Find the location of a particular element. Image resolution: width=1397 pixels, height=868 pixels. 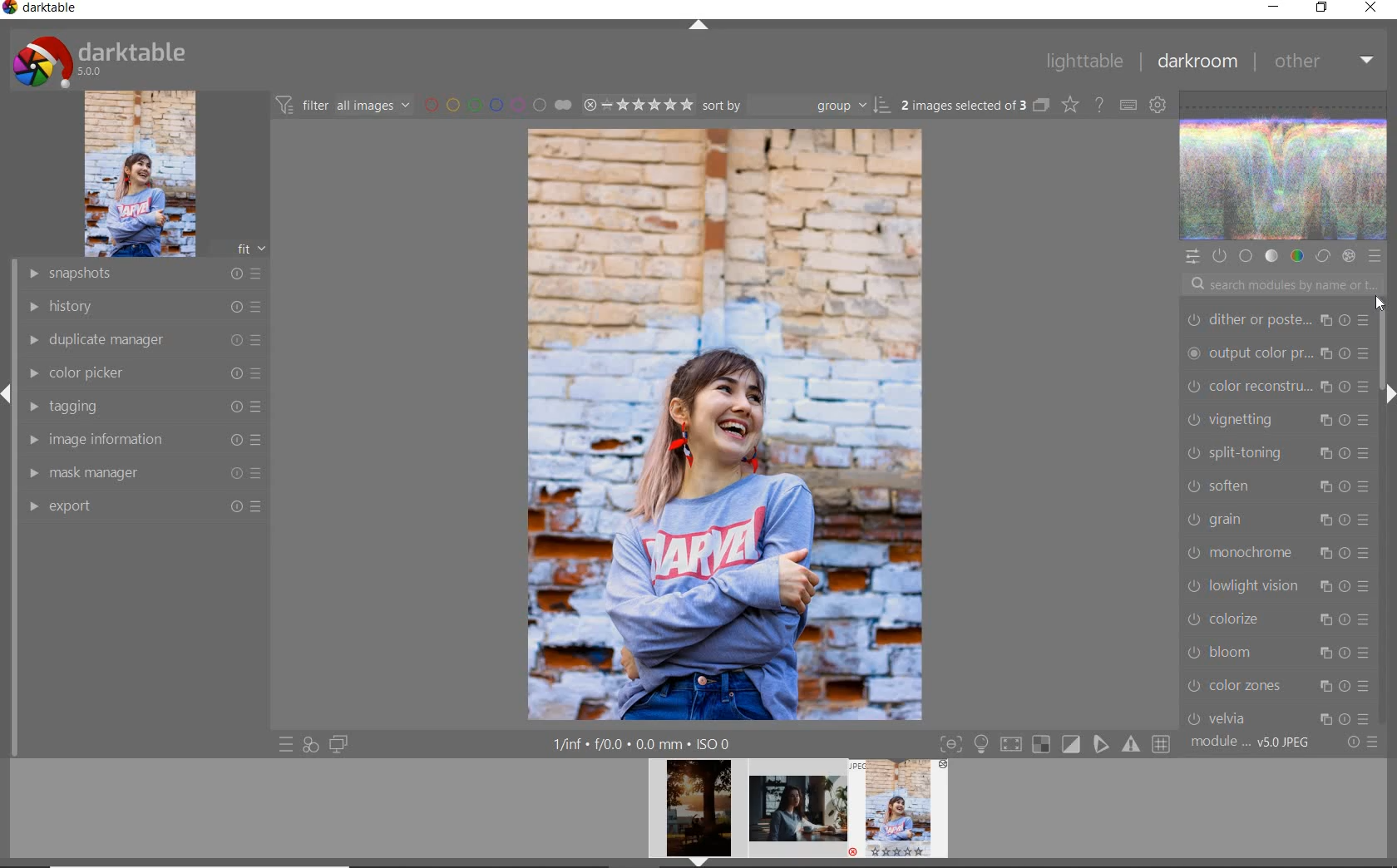

preset is located at coordinates (1375, 256).